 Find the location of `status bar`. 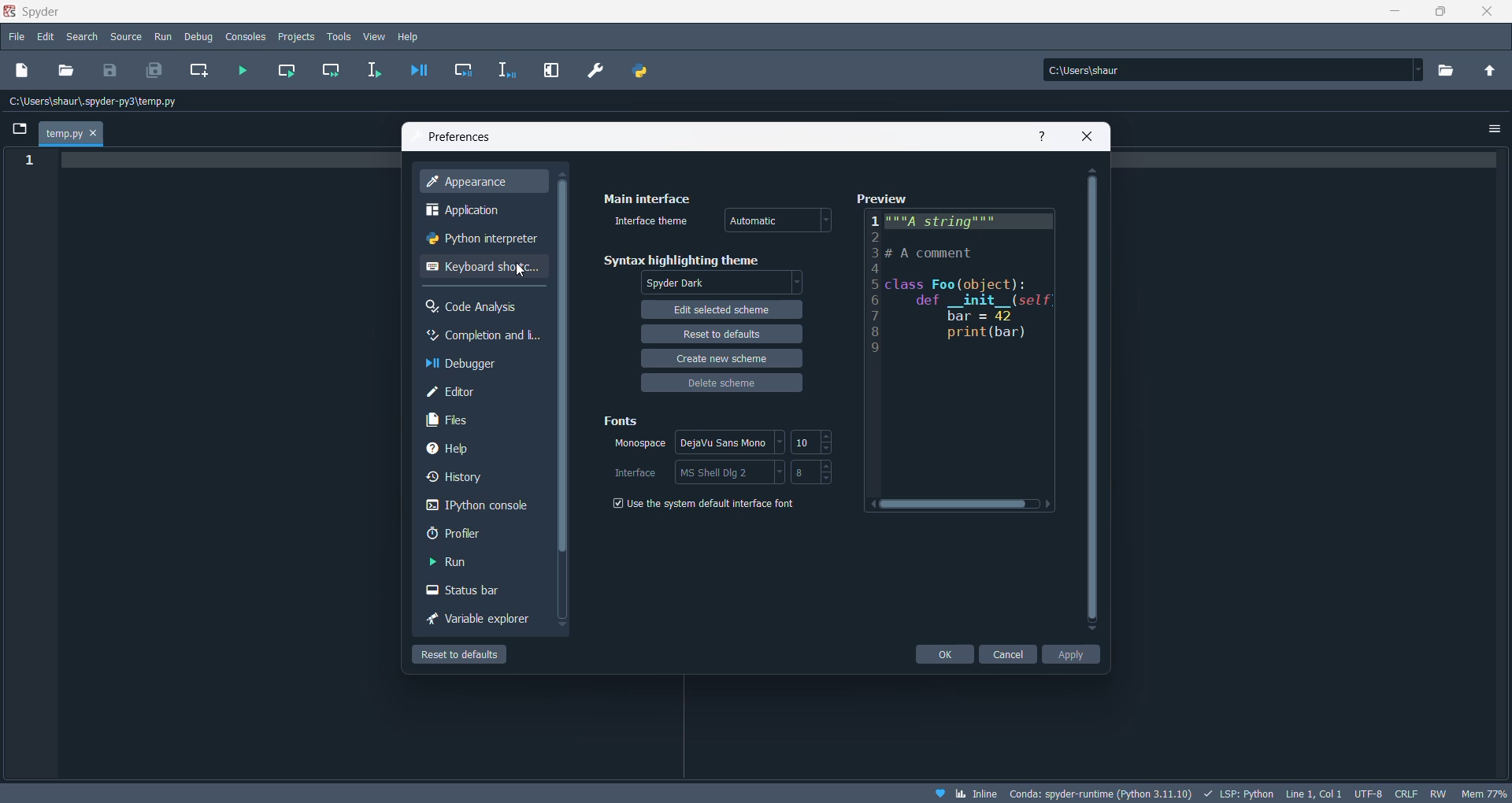

status bar is located at coordinates (469, 593).